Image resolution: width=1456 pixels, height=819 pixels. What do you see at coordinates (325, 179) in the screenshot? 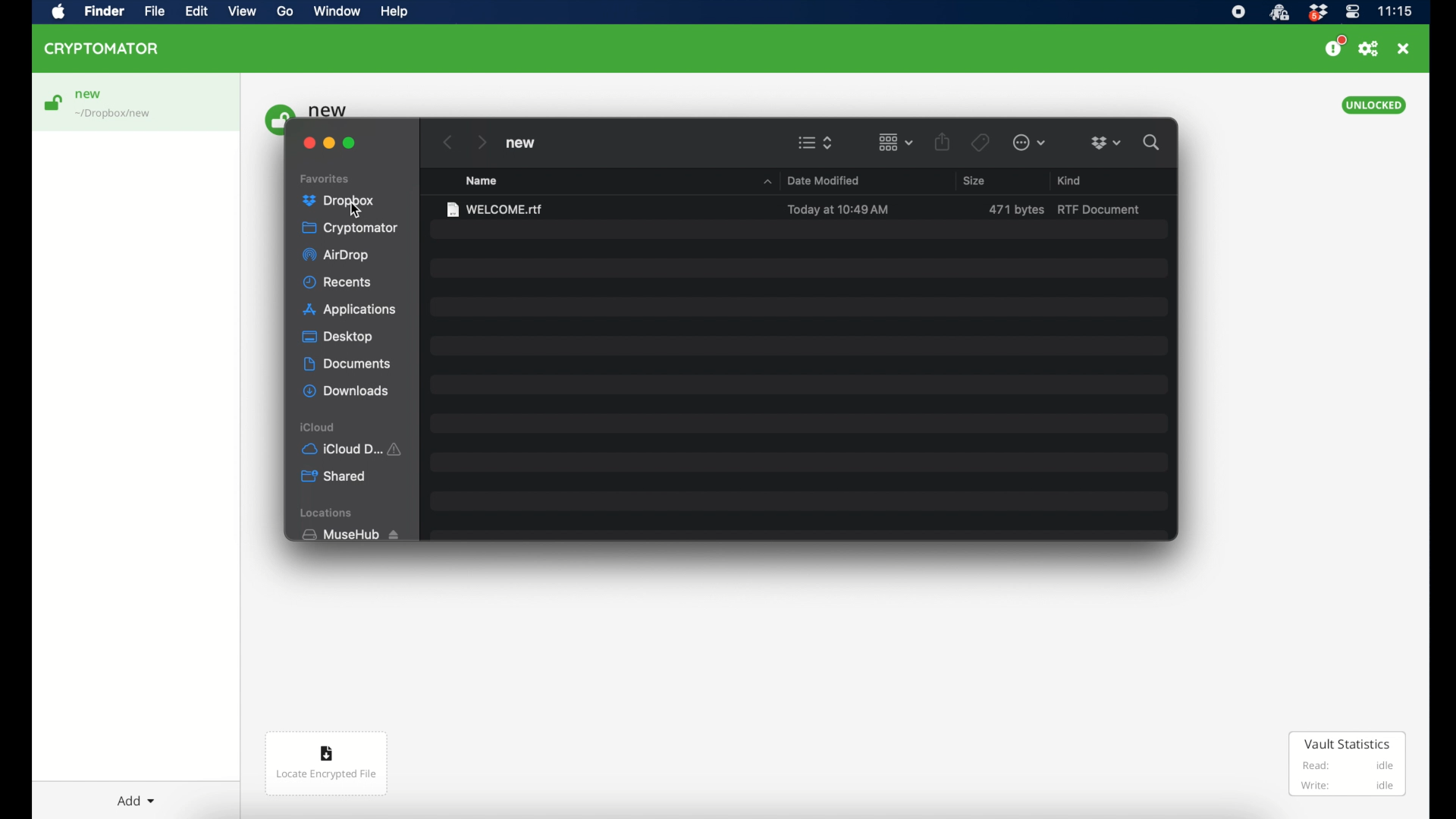
I see `favorites` at bounding box center [325, 179].